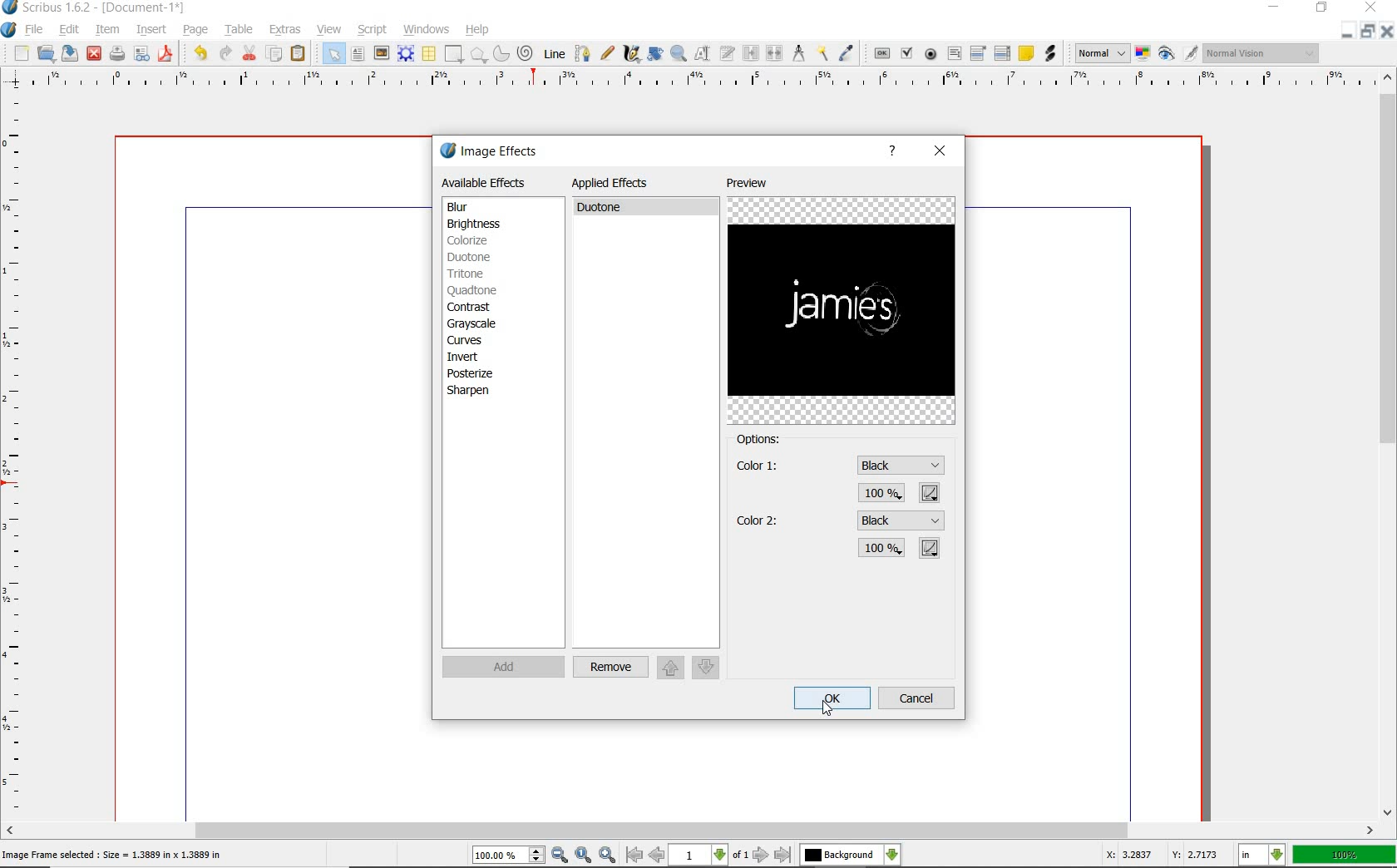  What do you see at coordinates (914, 697) in the screenshot?
I see `cancel` at bounding box center [914, 697].